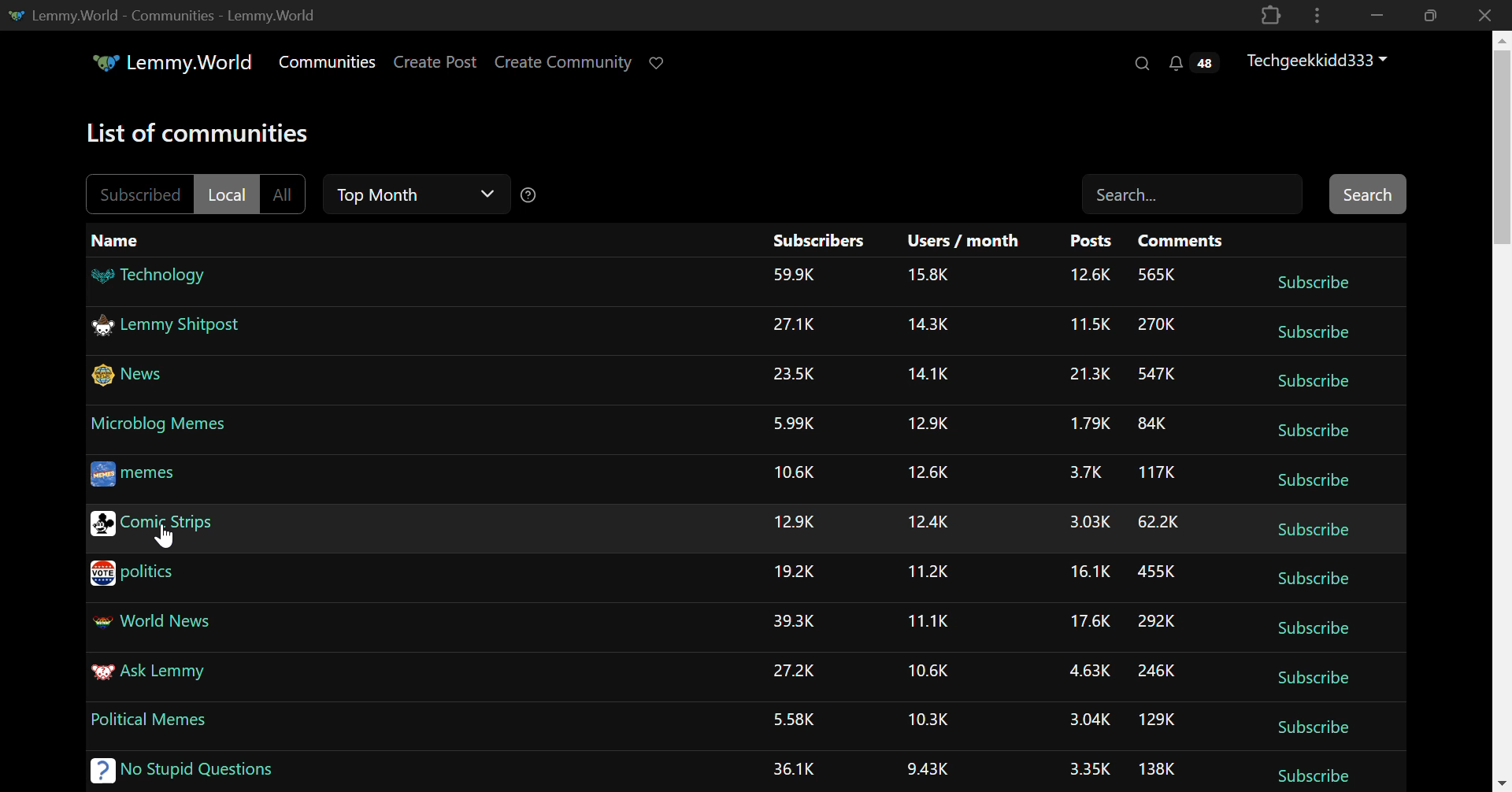 This screenshot has width=1512, height=792. Describe the element at coordinates (226, 194) in the screenshot. I see `Local` at that location.